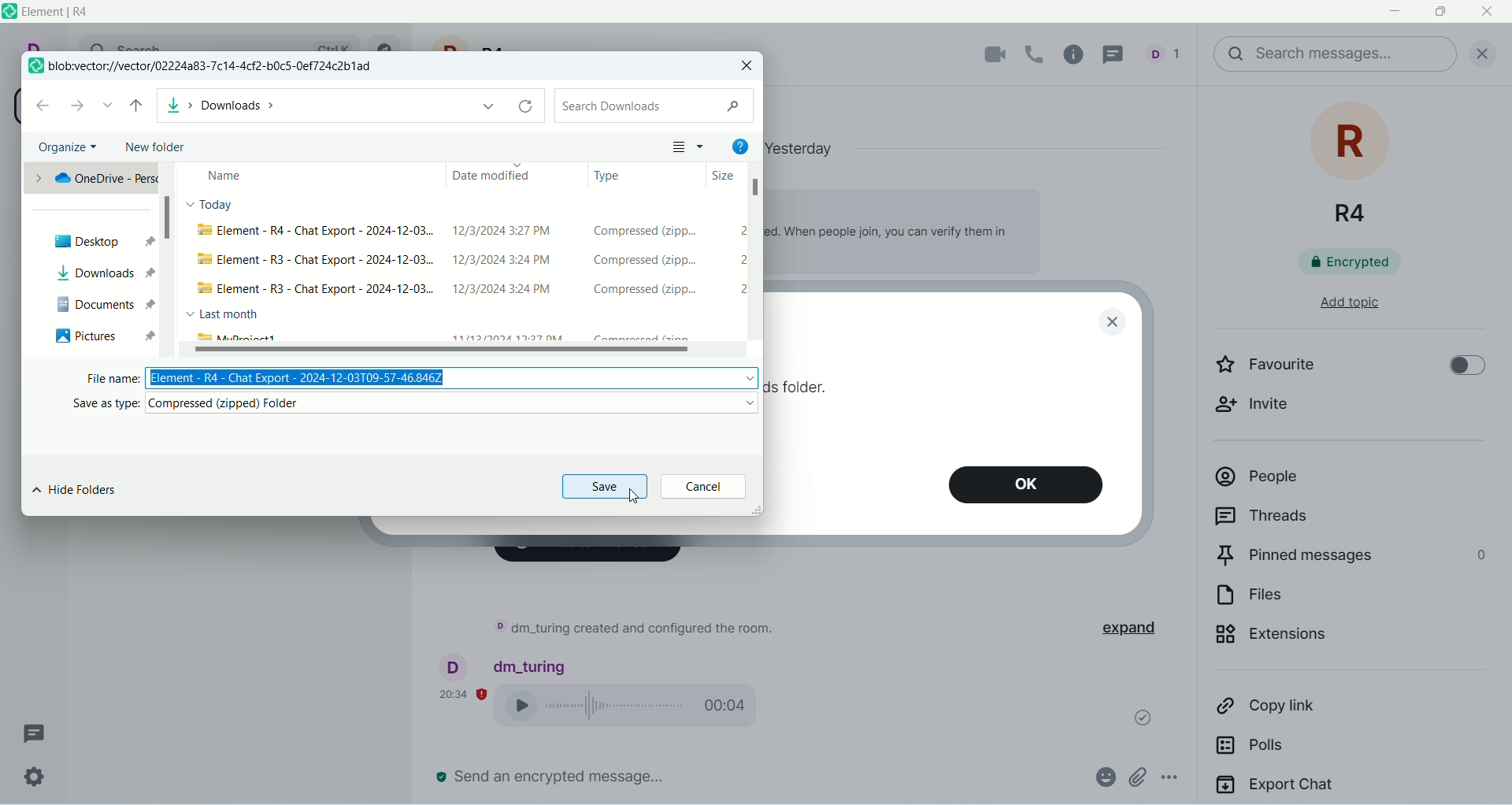  What do you see at coordinates (9, 11) in the screenshot?
I see `logo` at bounding box center [9, 11].